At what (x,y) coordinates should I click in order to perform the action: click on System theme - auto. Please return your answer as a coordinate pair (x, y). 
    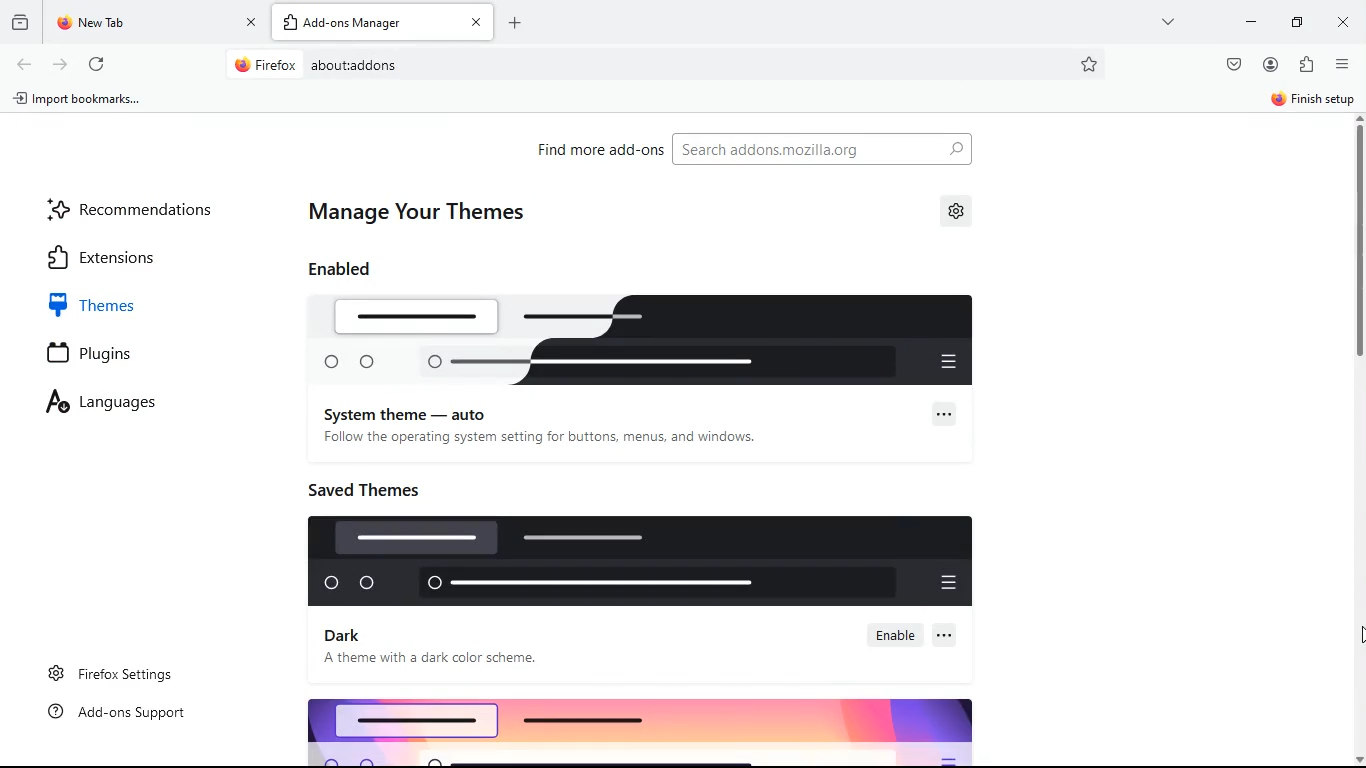
    Looking at the image, I should click on (409, 413).